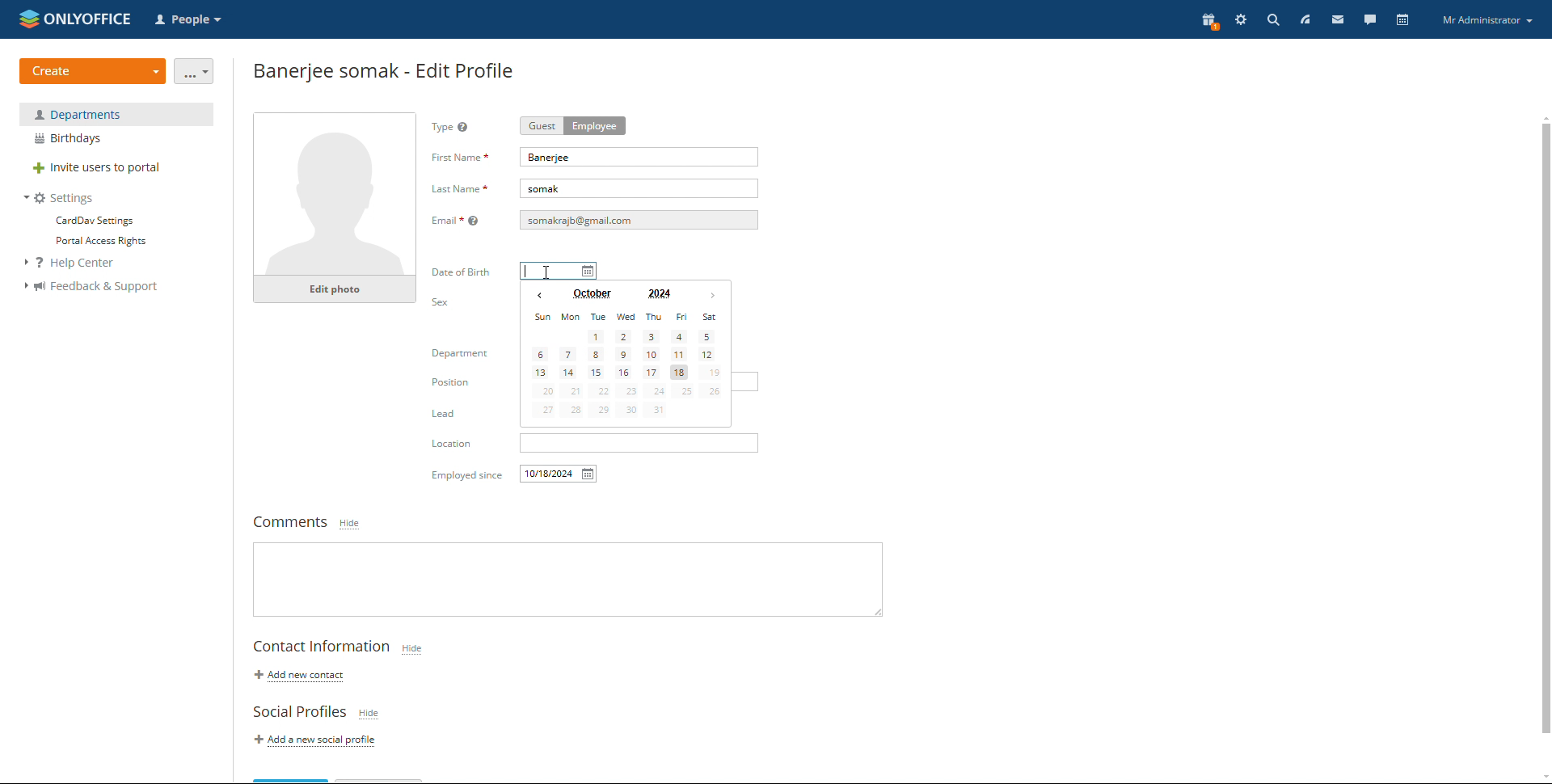  Describe the element at coordinates (457, 355) in the screenshot. I see `Department` at that location.